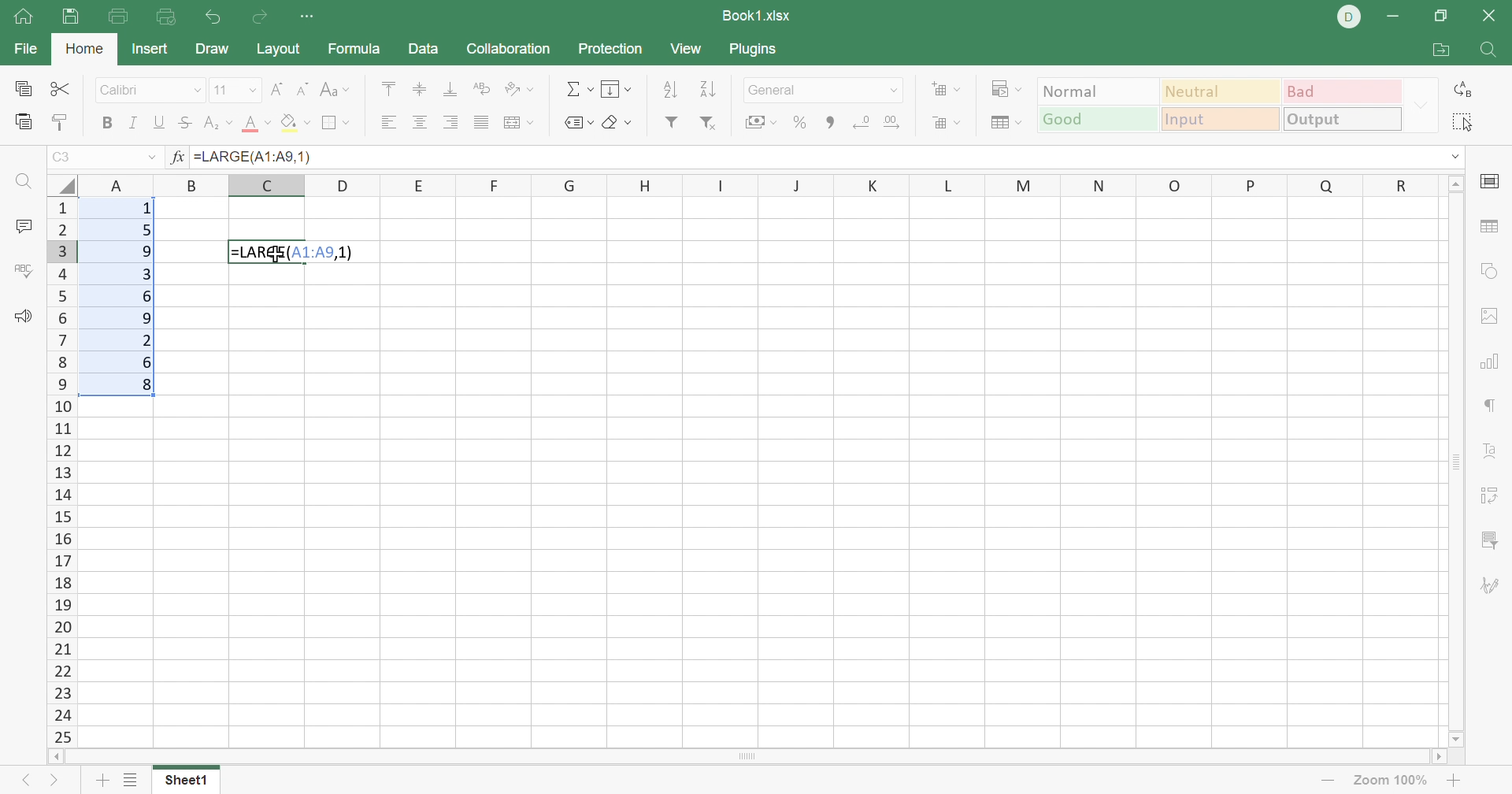  Describe the element at coordinates (1094, 91) in the screenshot. I see `Normal` at that location.